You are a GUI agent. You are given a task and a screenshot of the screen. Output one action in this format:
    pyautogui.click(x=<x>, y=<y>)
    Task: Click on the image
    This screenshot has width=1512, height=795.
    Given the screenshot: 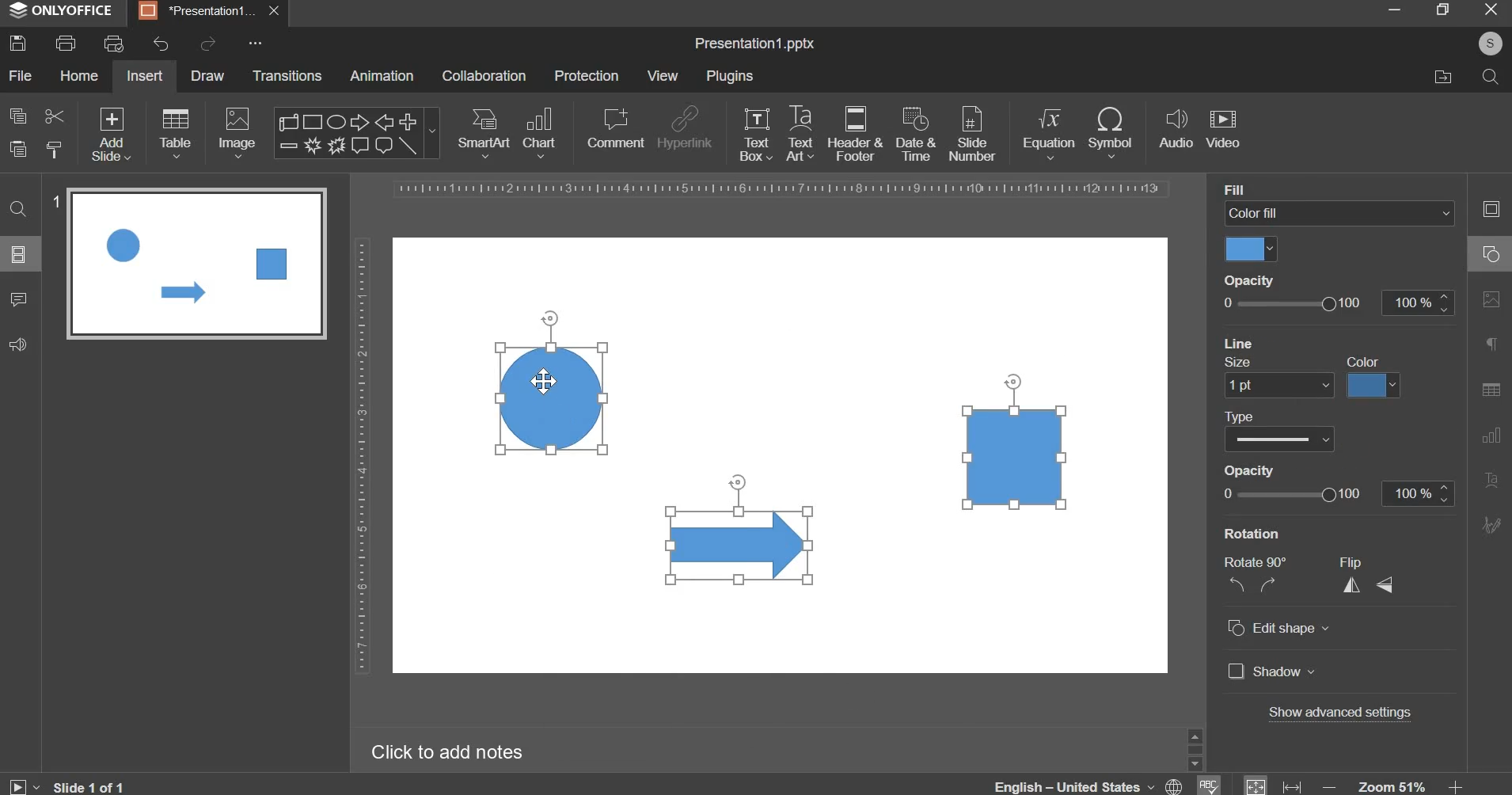 What is the action you would take?
    pyautogui.click(x=239, y=132)
    